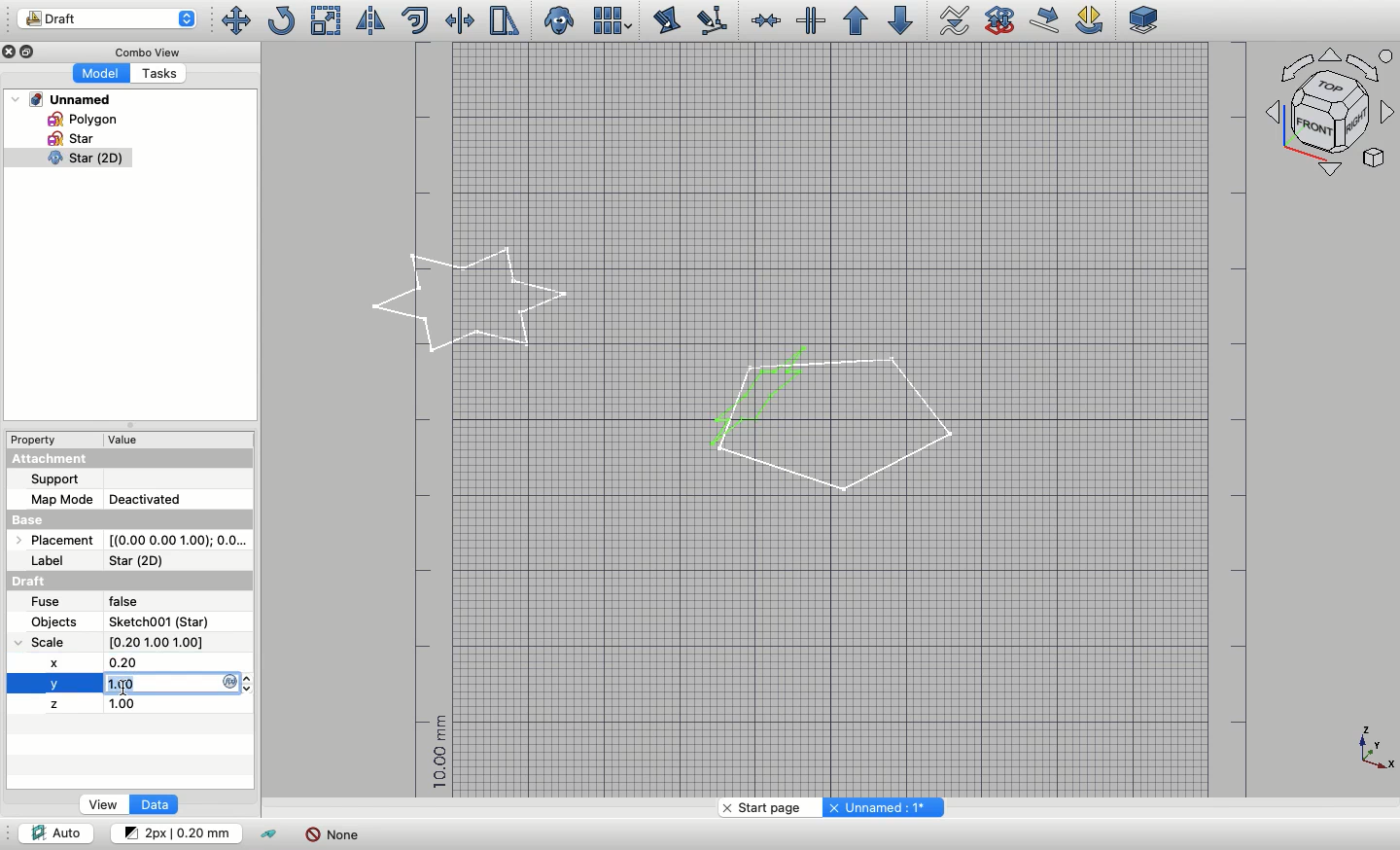  What do you see at coordinates (462, 20) in the screenshot?
I see `Trimex` at bounding box center [462, 20].